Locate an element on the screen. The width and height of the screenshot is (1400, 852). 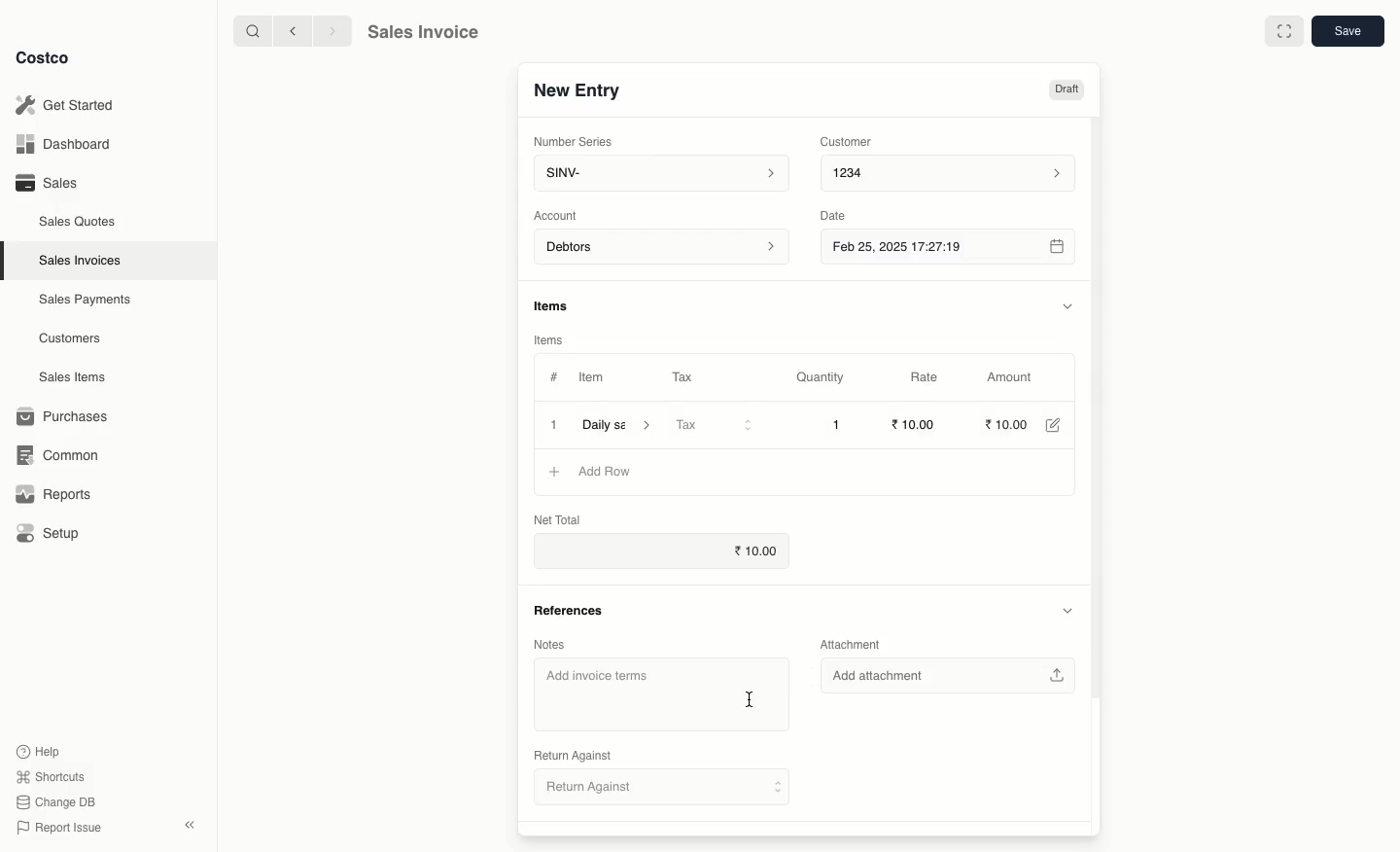
Back is located at coordinates (288, 33).